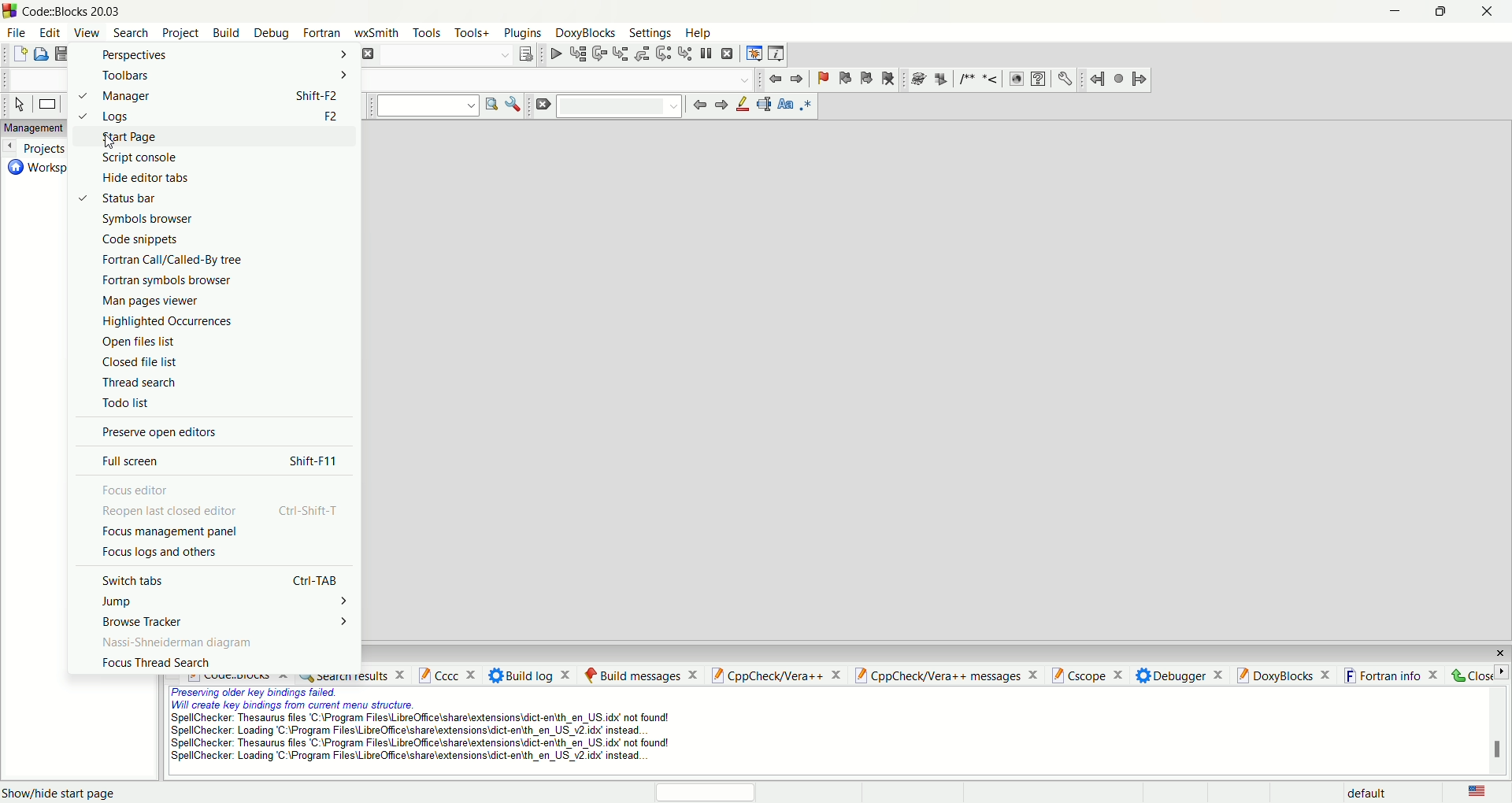 This screenshot has height=803, width=1512. I want to click on help, so click(697, 31).